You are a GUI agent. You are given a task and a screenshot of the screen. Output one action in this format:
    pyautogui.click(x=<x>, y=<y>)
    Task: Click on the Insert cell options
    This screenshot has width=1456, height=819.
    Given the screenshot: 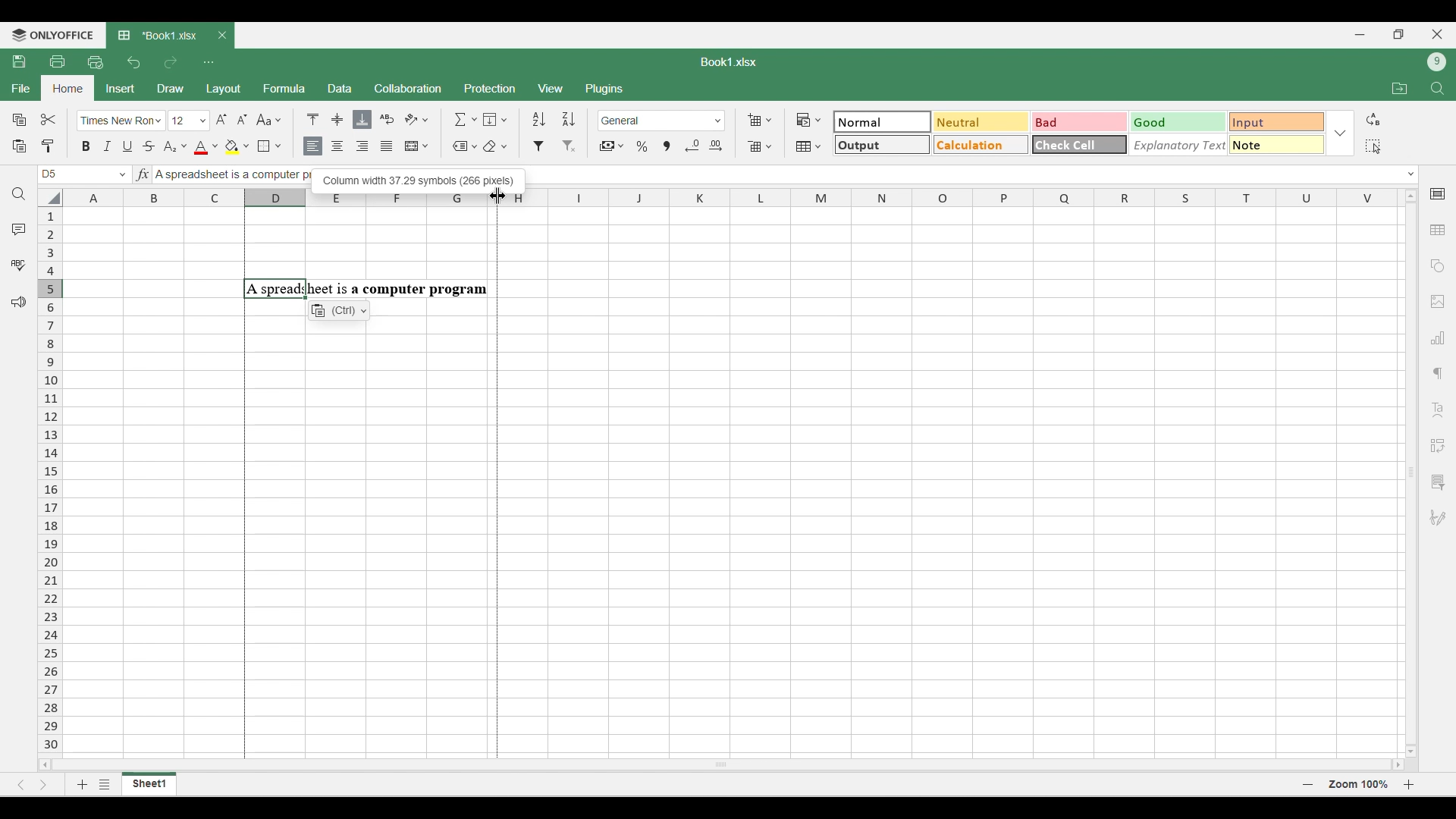 What is the action you would take?
    pyautogui.click(x=759, y=120)
    